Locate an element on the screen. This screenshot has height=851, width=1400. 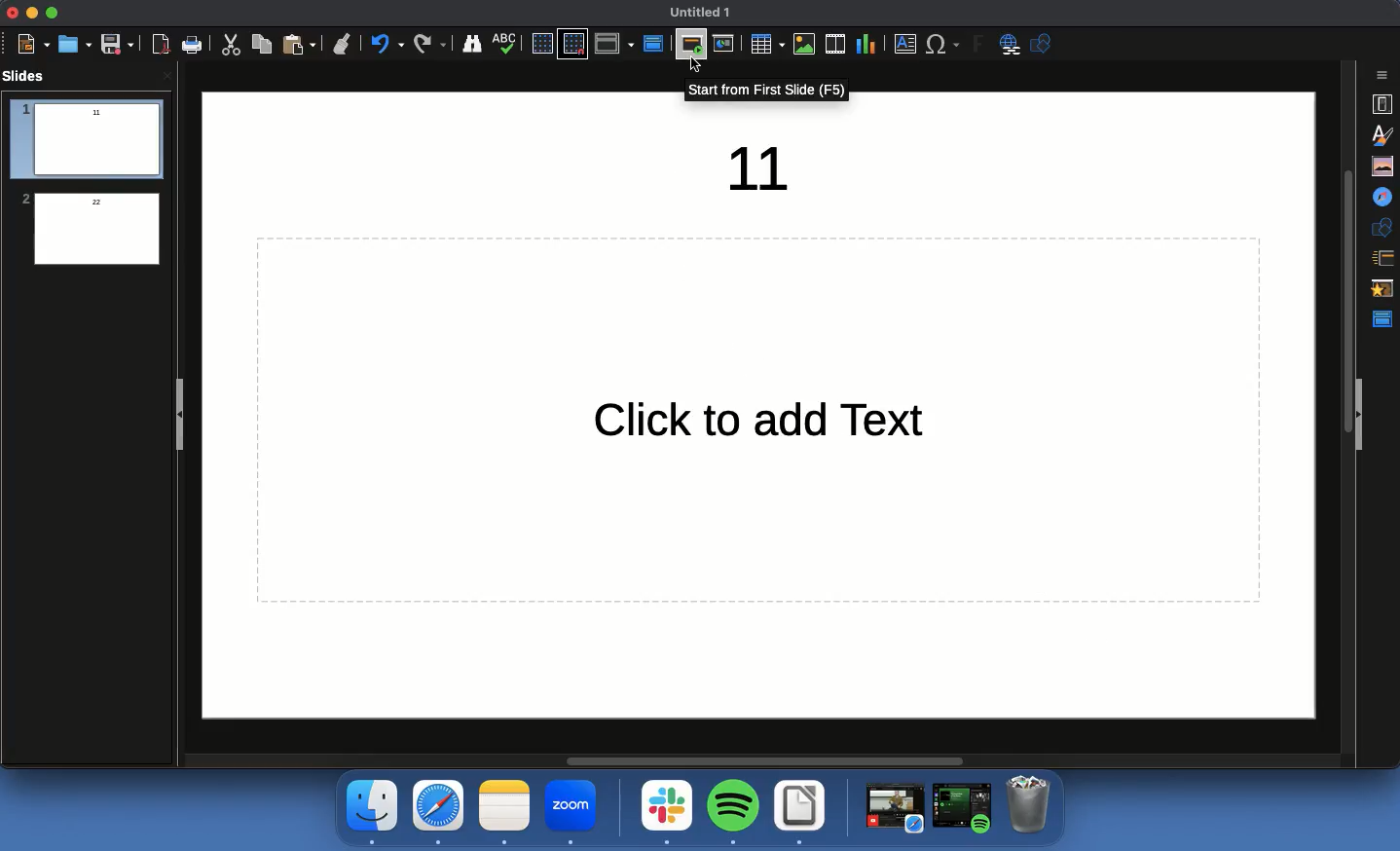
Gallery is located at coordinates (1383, 167).